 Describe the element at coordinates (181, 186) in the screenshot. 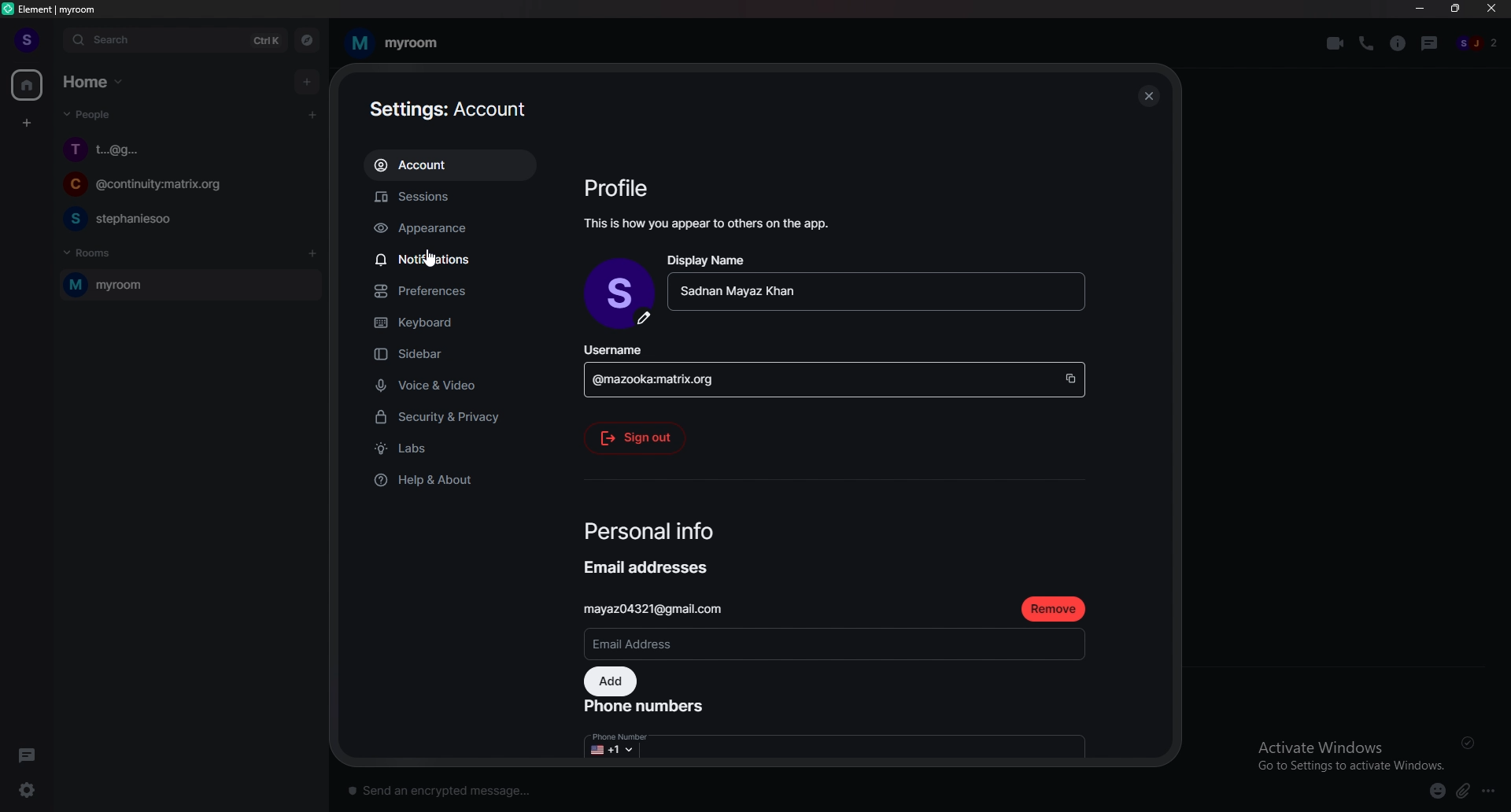

I see `chat` at that location.